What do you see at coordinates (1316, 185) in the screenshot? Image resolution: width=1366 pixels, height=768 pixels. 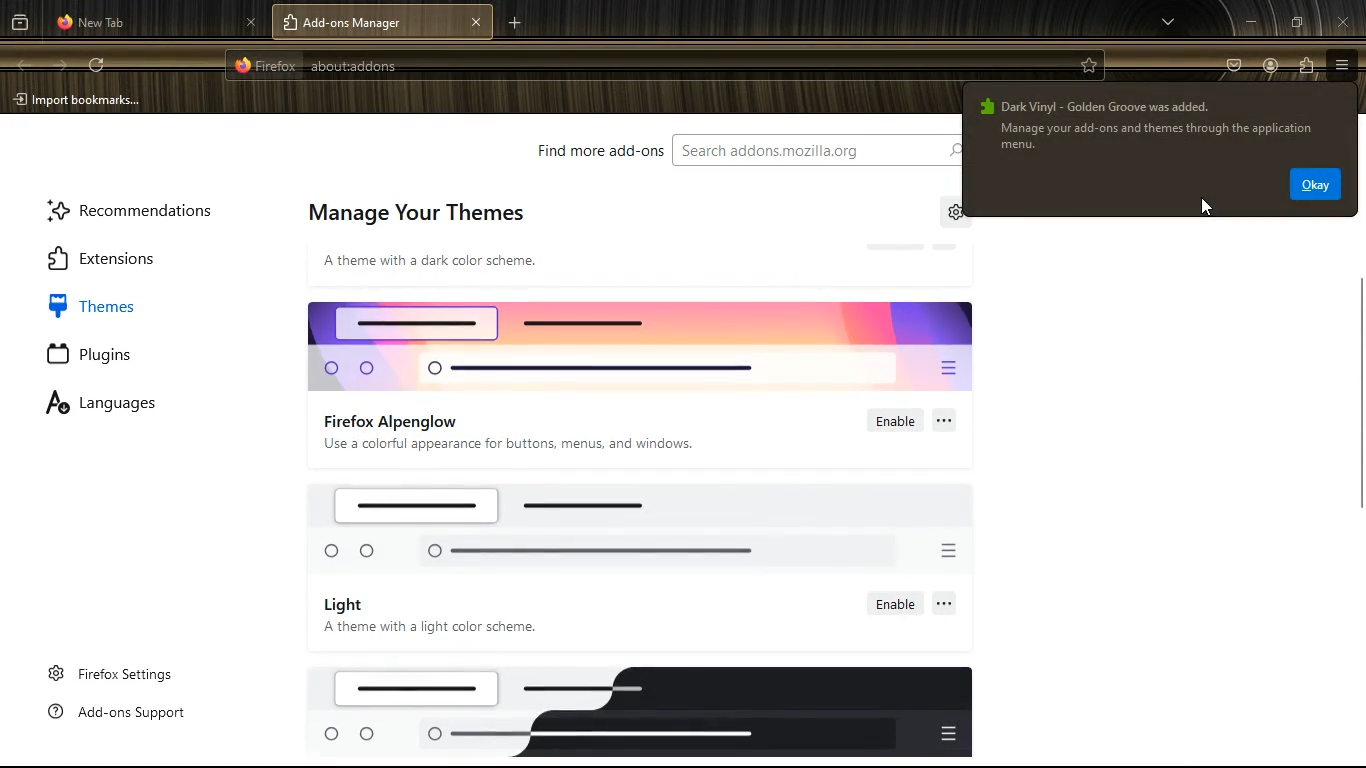 I see `okay` at bounding box center [1316, 185].